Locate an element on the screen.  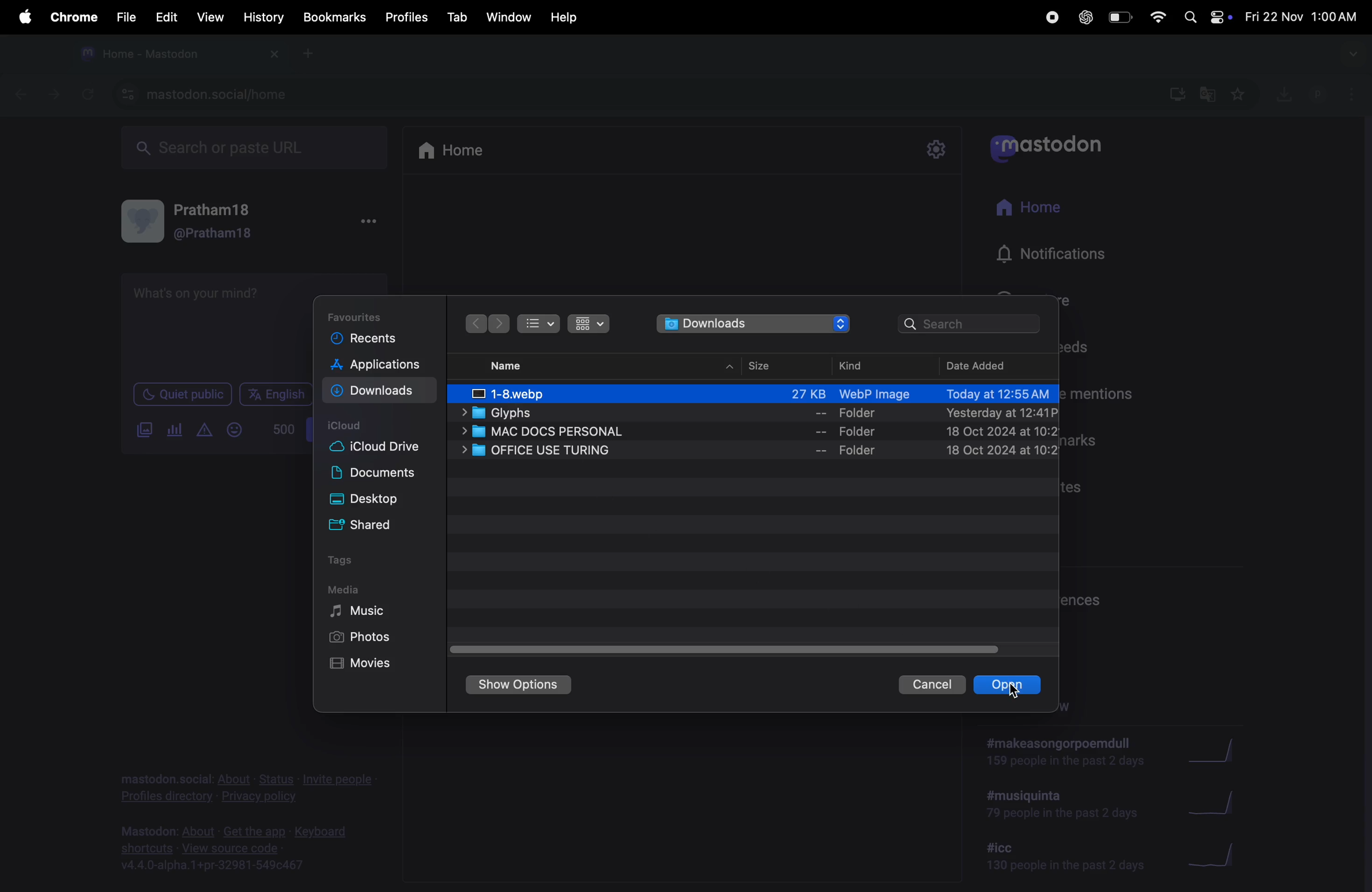
privacy and policy is located at coordinates (258, 797).